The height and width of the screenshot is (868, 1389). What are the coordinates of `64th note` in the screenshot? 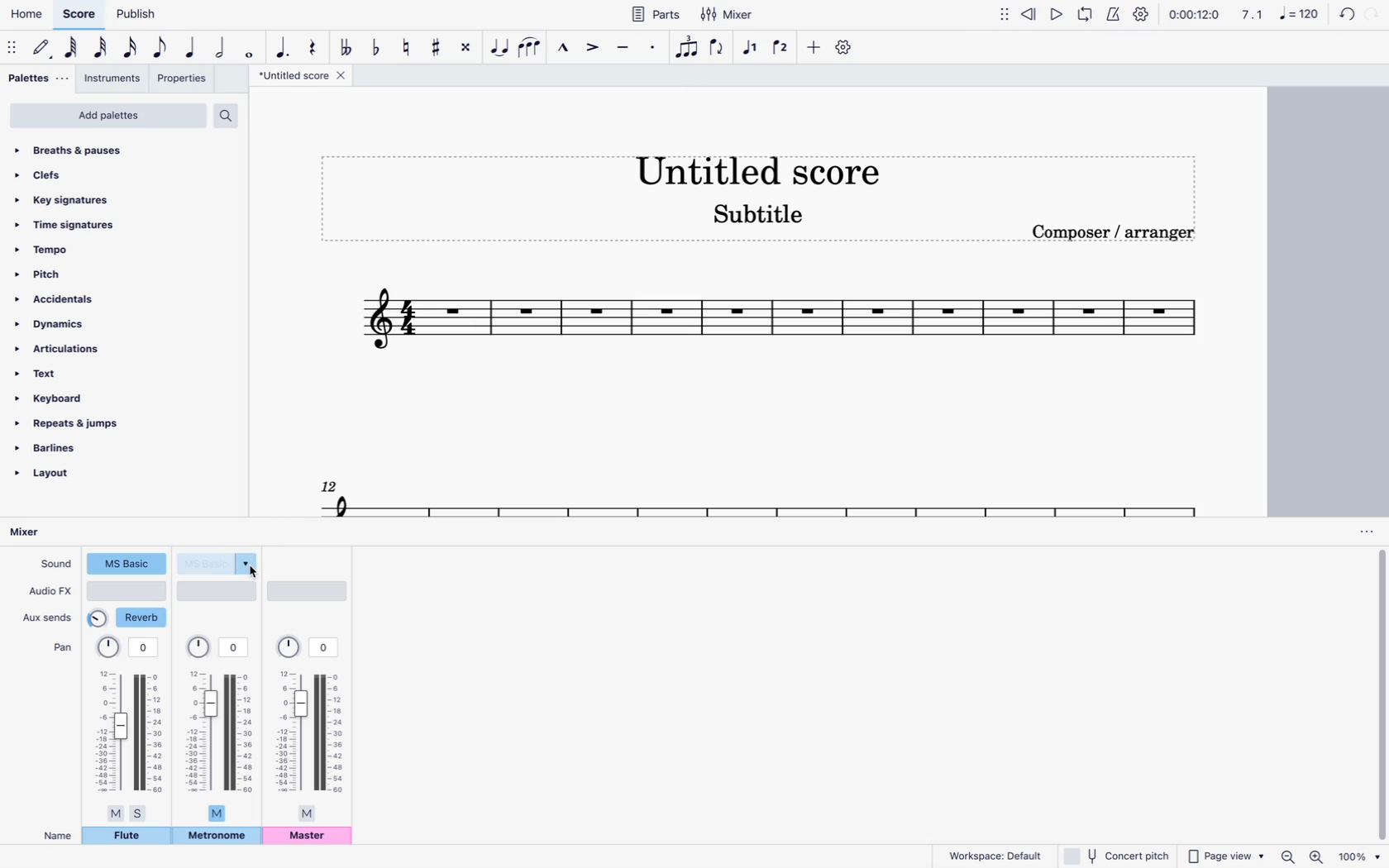 It's located at (71, 50).